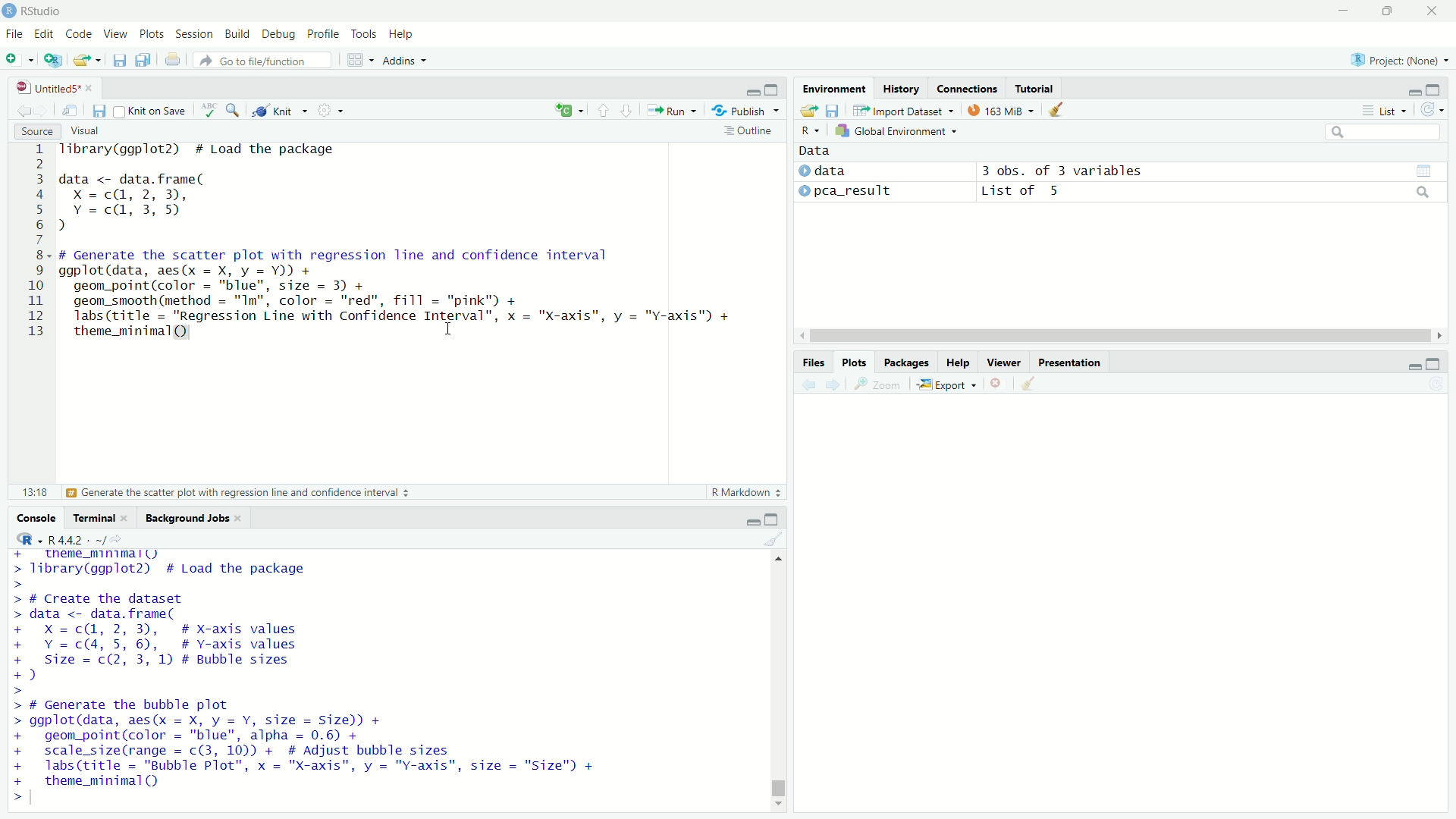  I want to click on Load workspace, so click(808, 109).